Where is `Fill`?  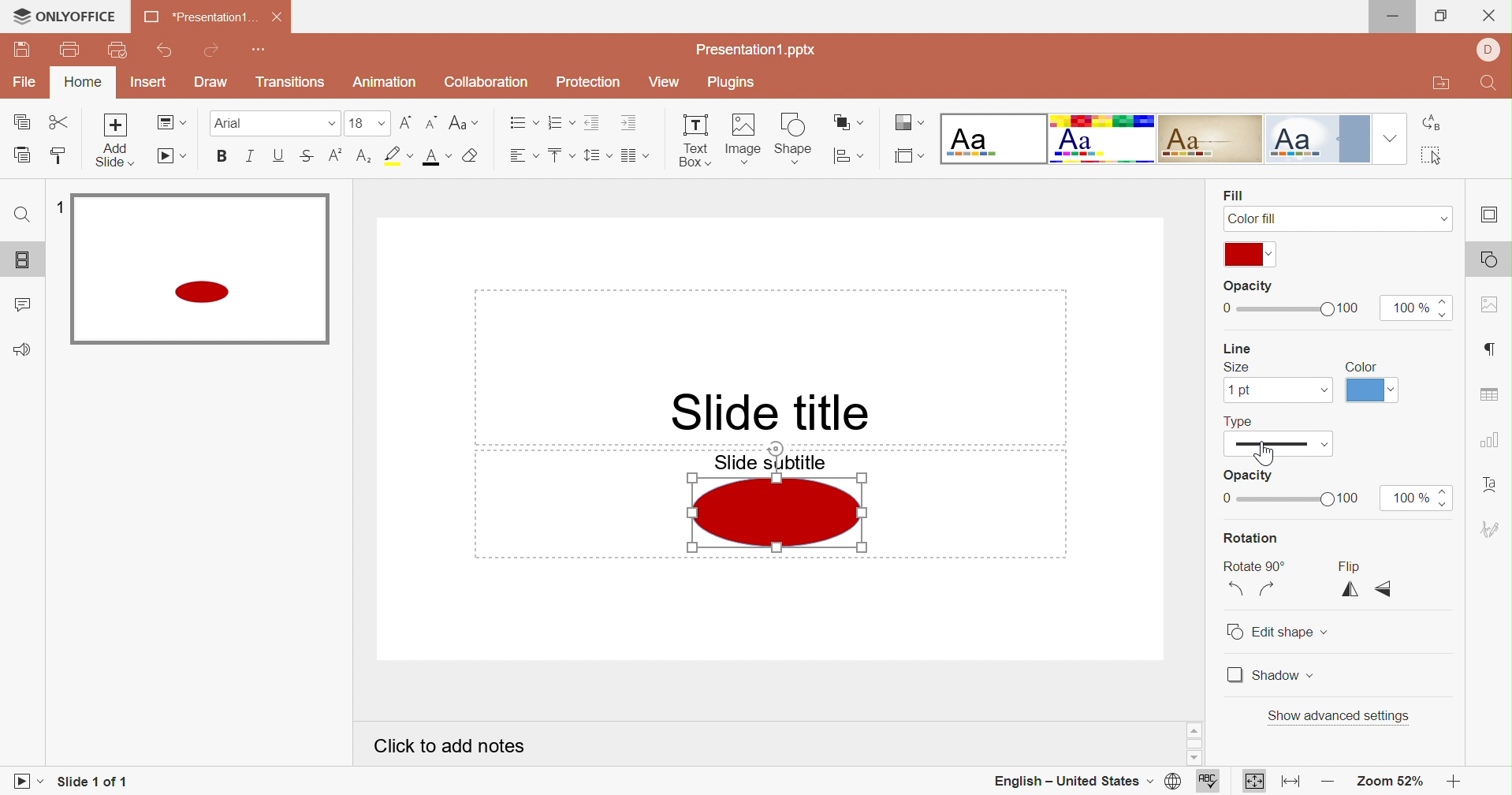 Fill is located at coordinates (1235, 196).